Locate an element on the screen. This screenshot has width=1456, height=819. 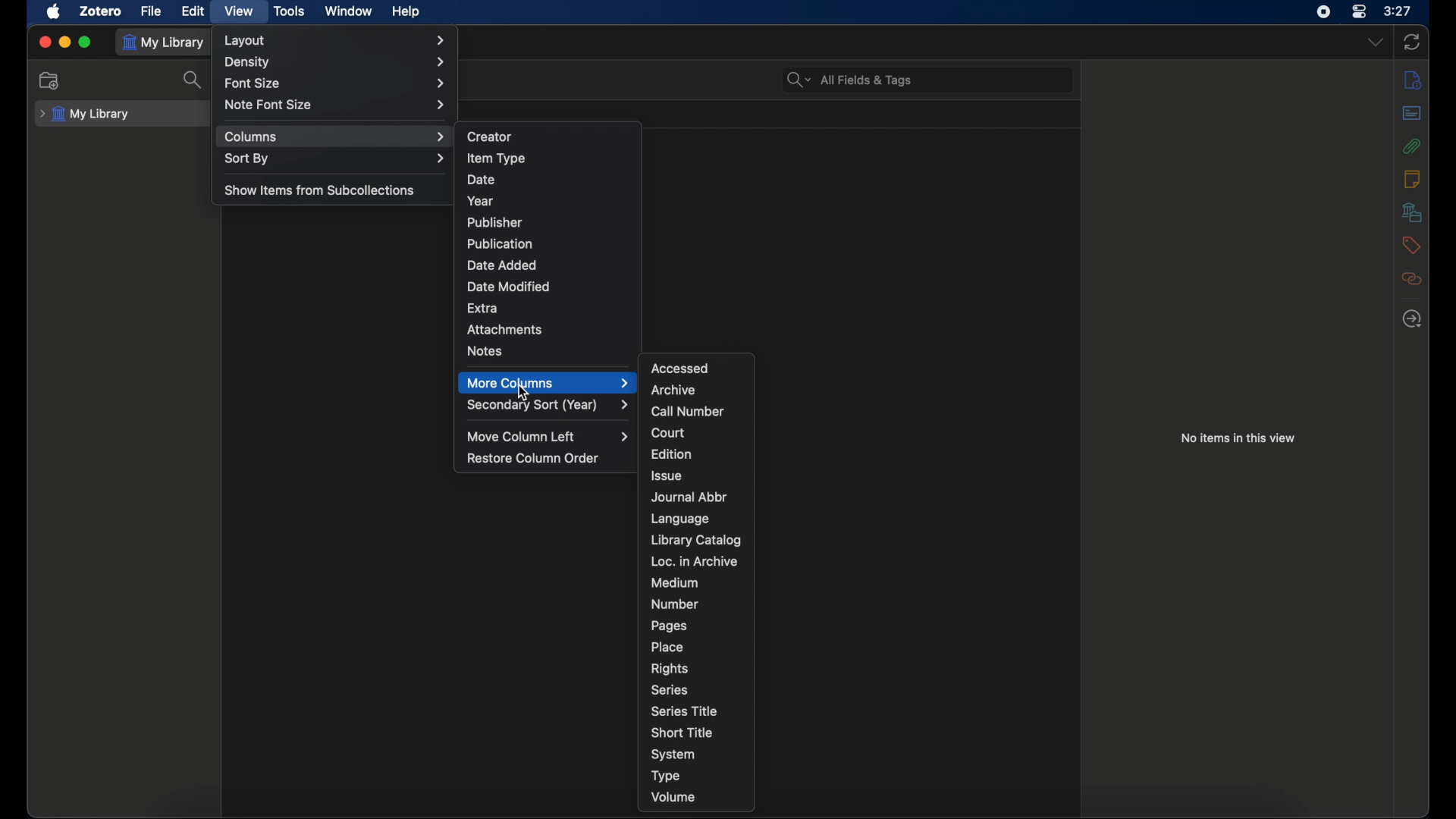
window is located at coordinates (349, 11).